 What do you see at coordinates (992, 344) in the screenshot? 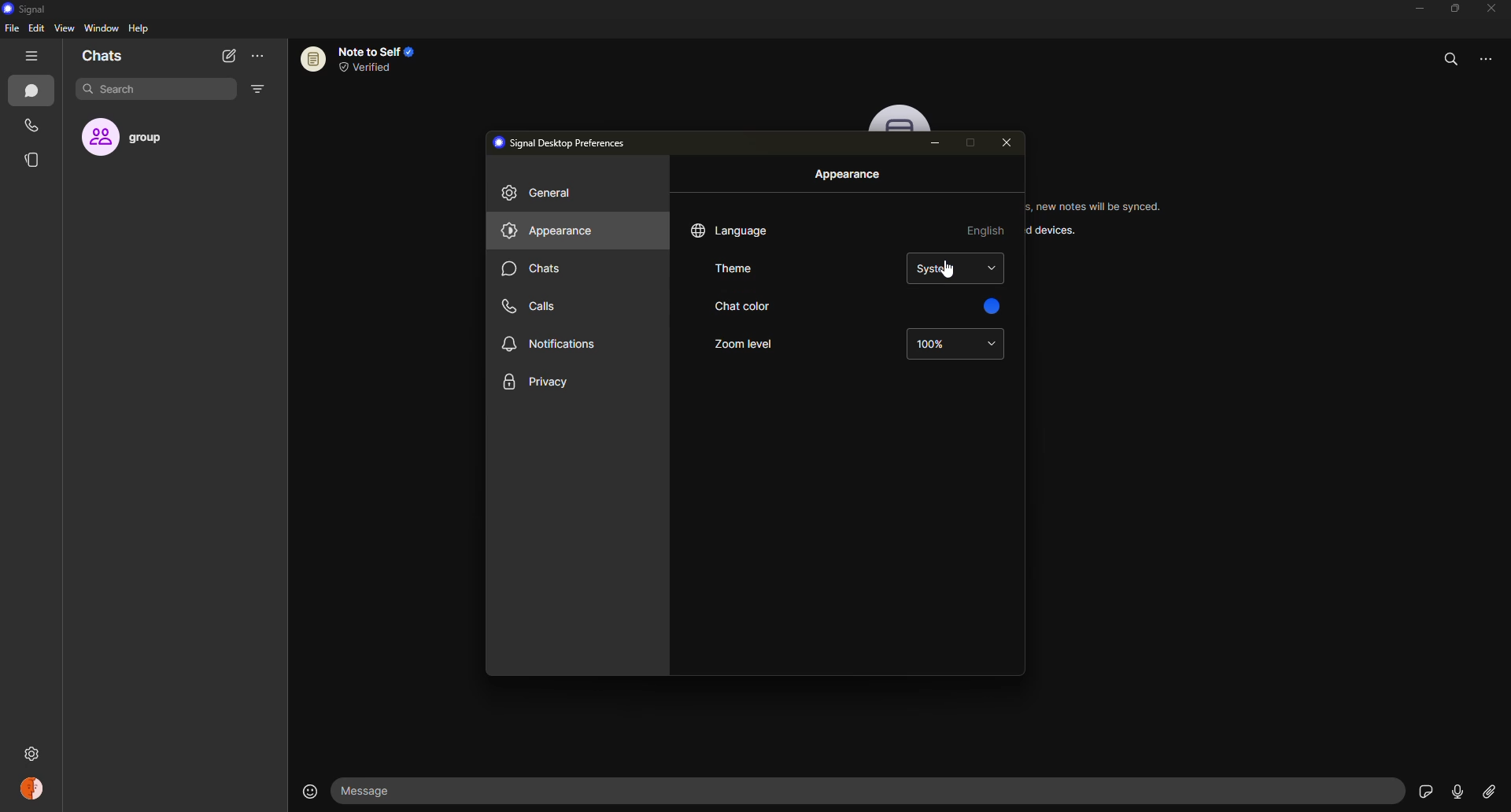
I see `drop down` at bounding box center [992, 344].